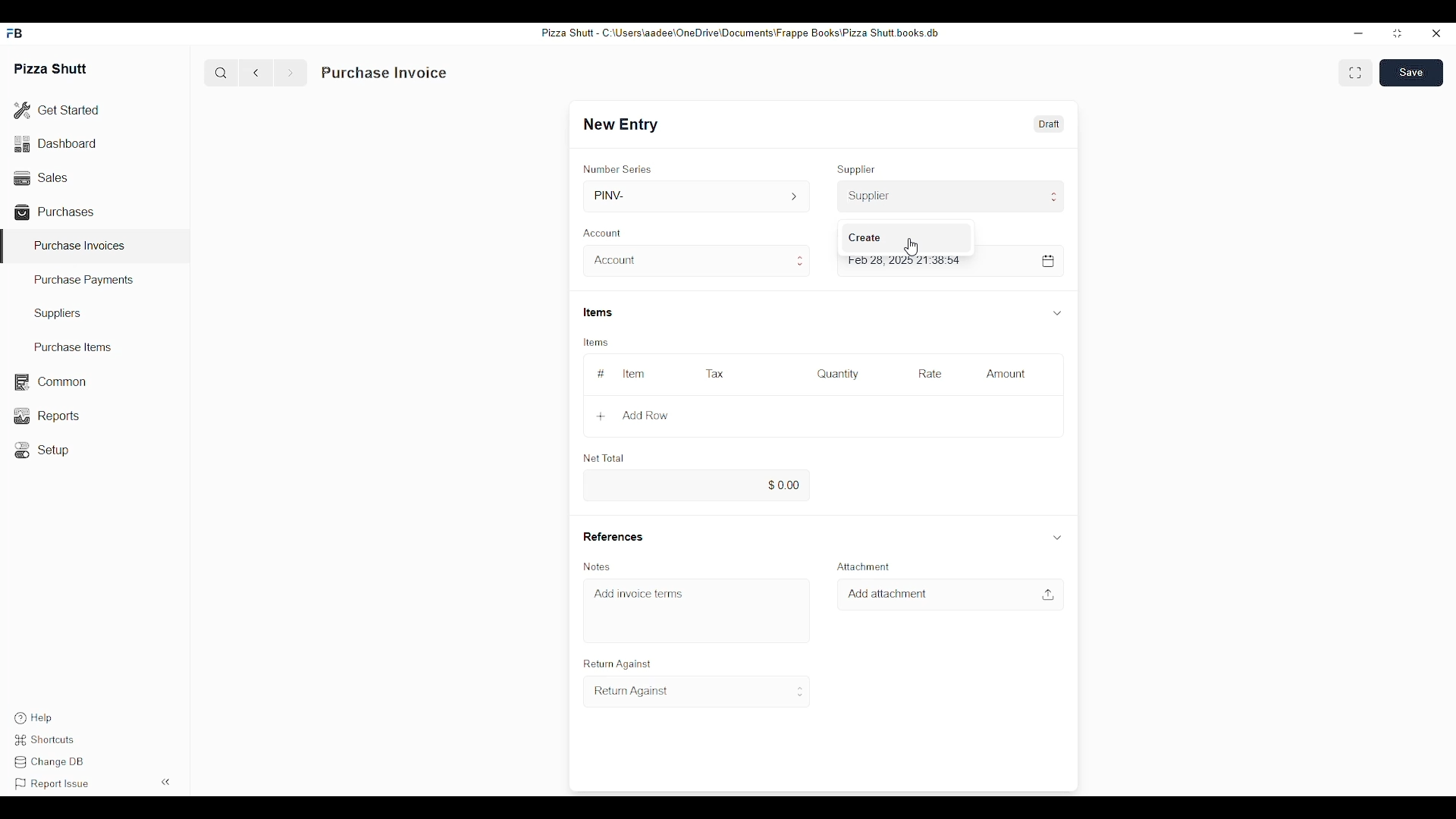 Image resolution: width=1456 pixels, height=819 pixels. What do you see at coordinates (57, 212) in the screenshot?
I see `Purchases` at bounding box center [57, 212].